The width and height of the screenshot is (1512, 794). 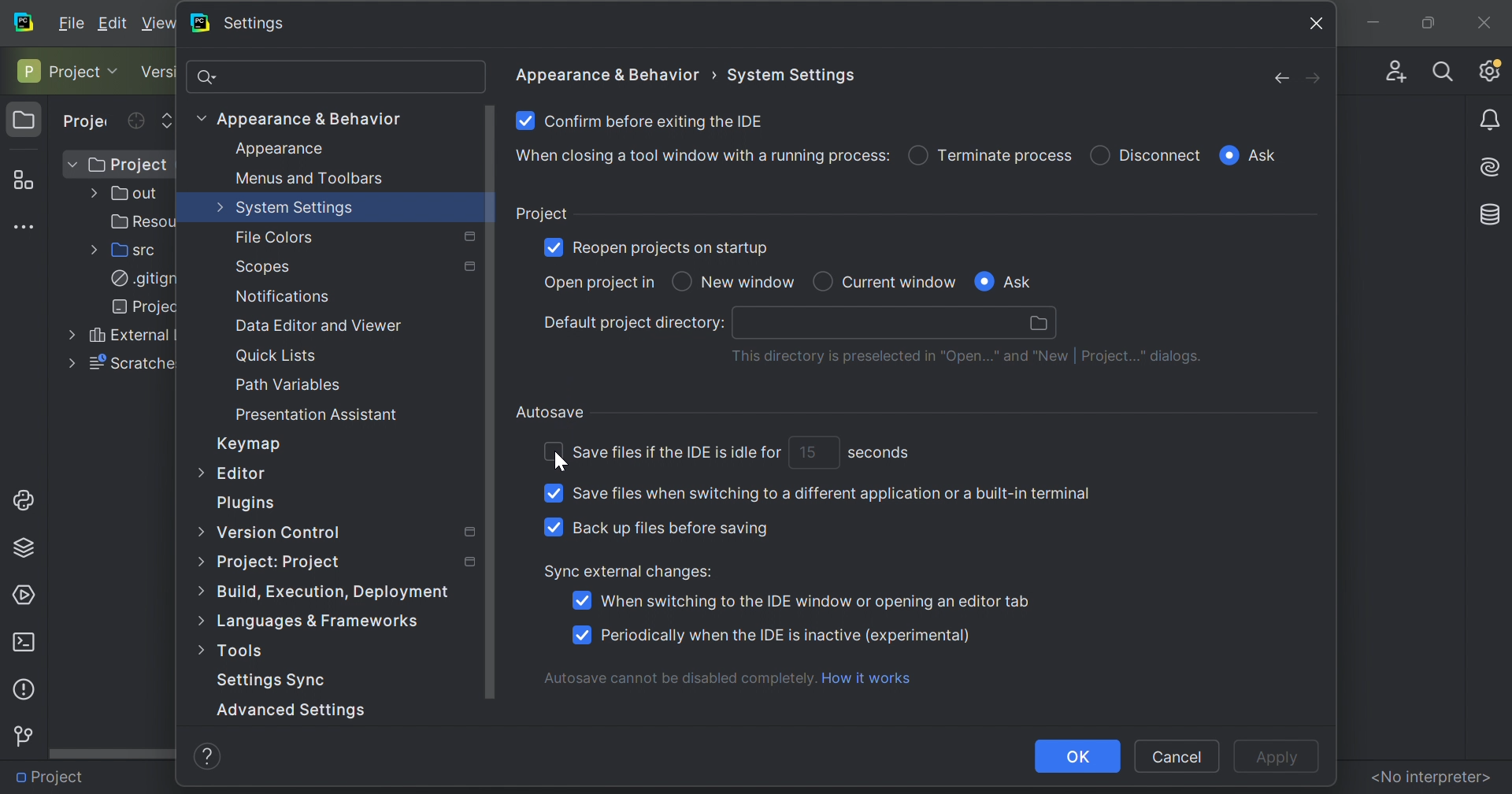 I want to click on Language & fireworks, so click(x=333, y=621).